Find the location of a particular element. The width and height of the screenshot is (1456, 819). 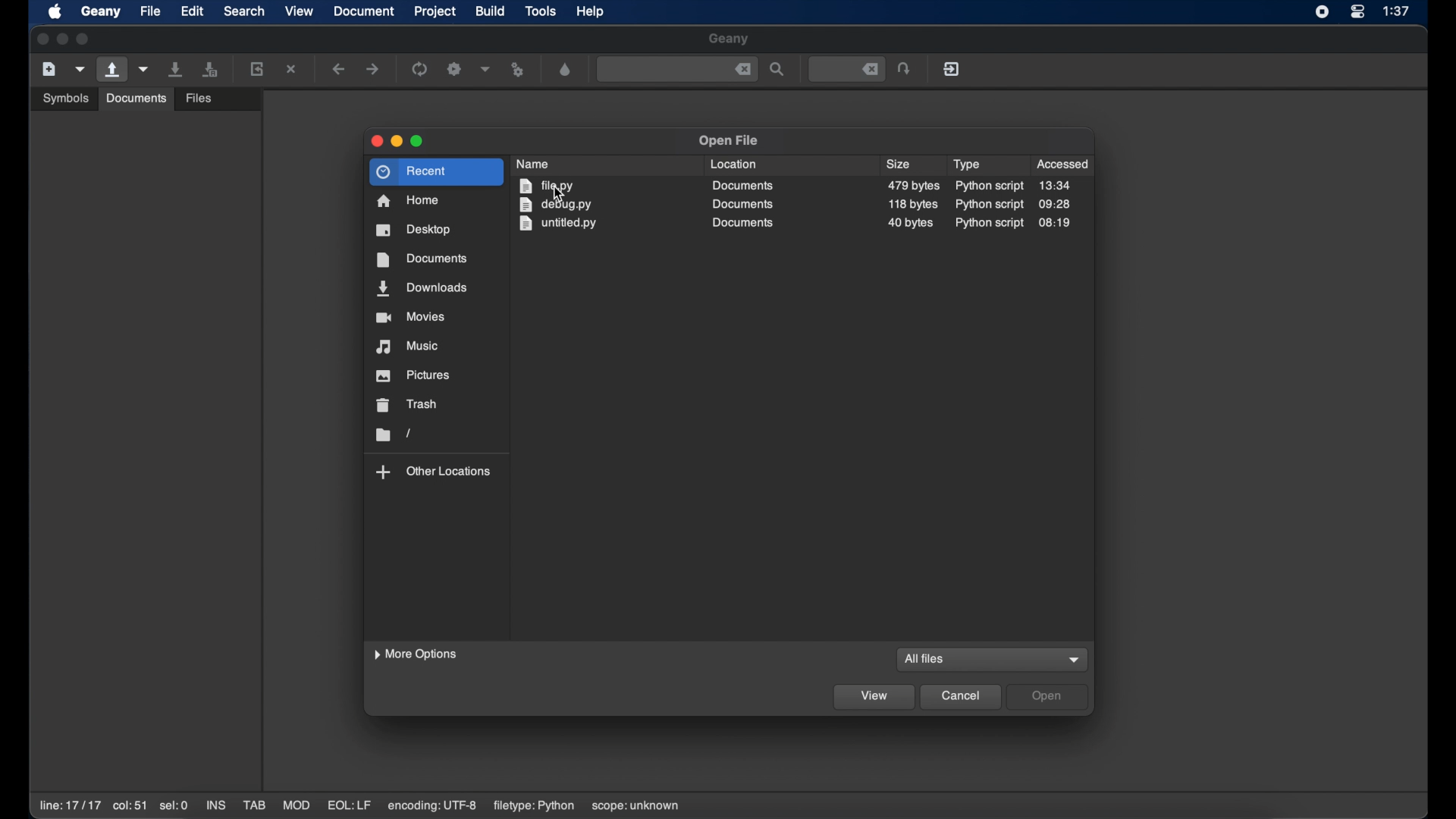

files is located at coordinates (201, 96).